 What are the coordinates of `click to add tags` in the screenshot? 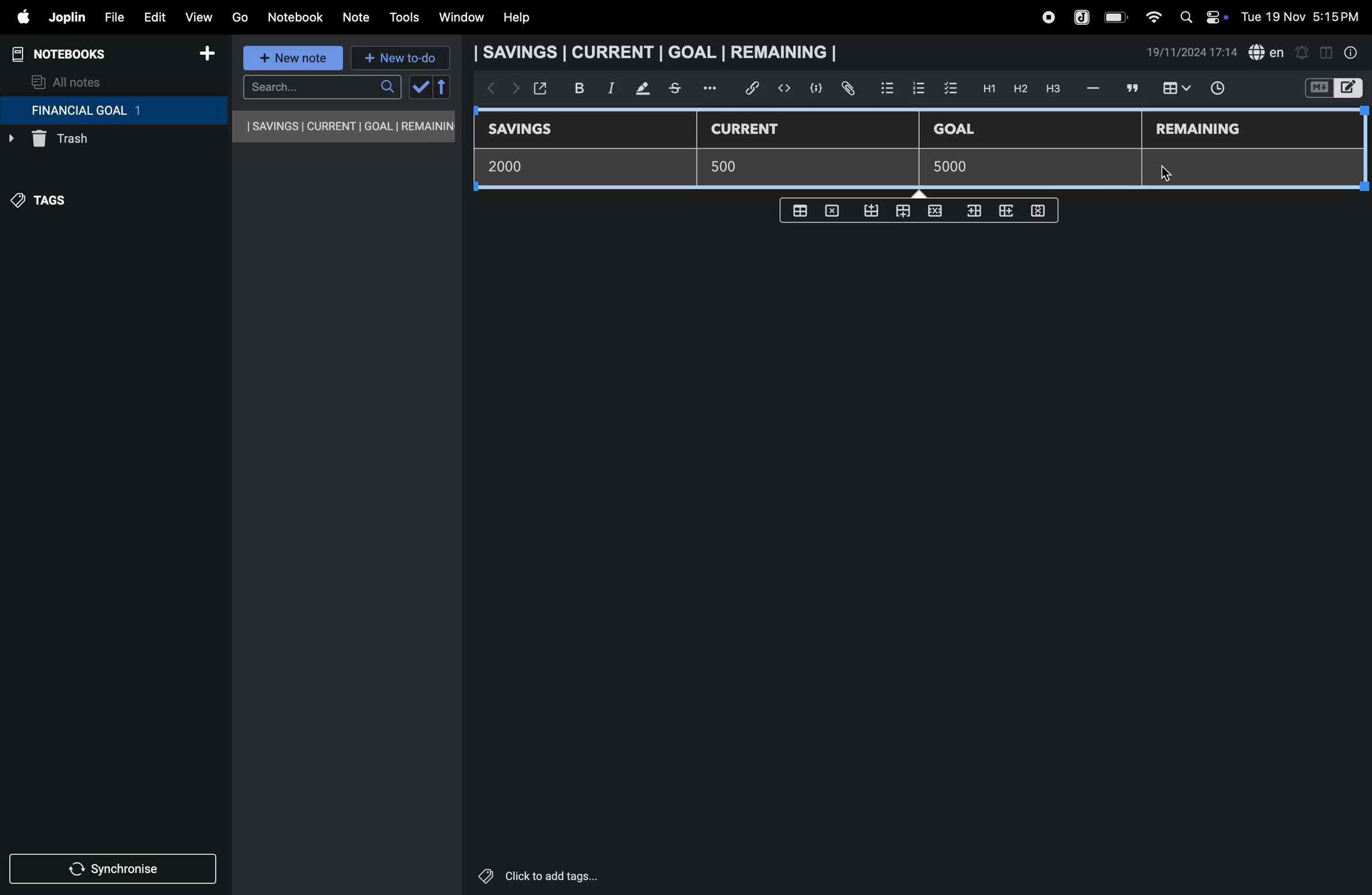 It's located at (567, 875).